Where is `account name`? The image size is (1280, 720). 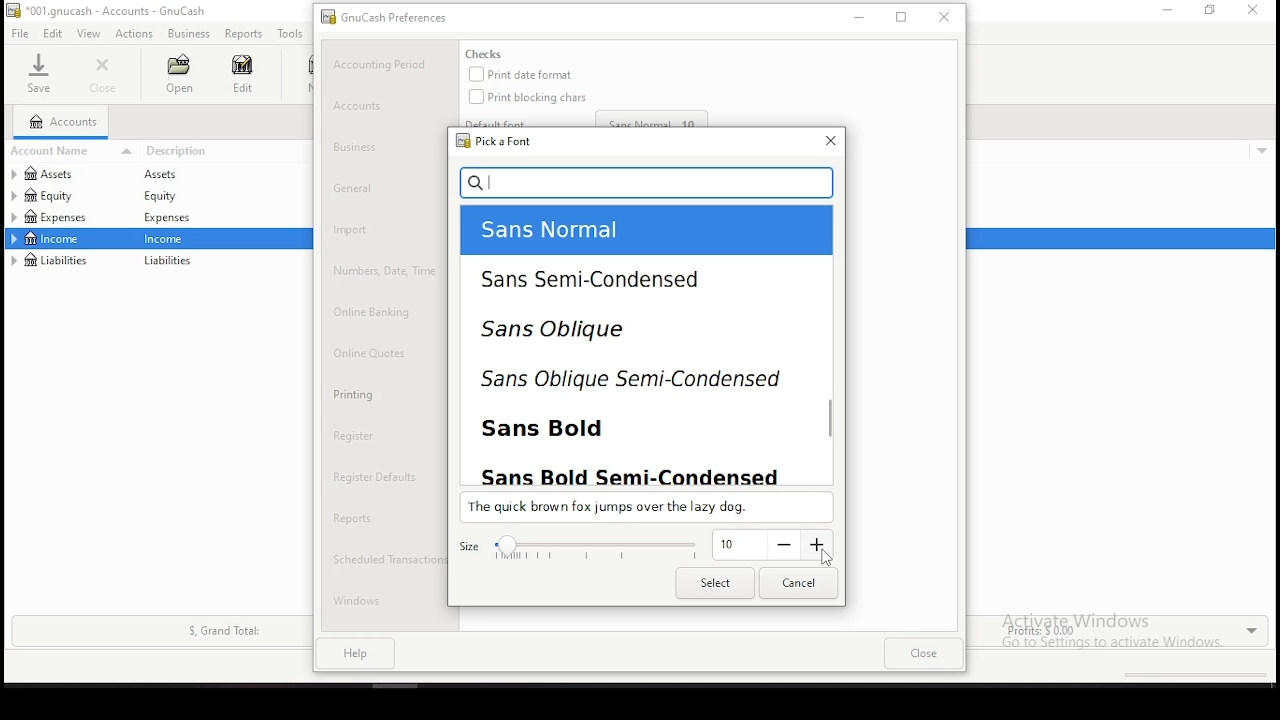 account name is located at coordinates (74, 150).